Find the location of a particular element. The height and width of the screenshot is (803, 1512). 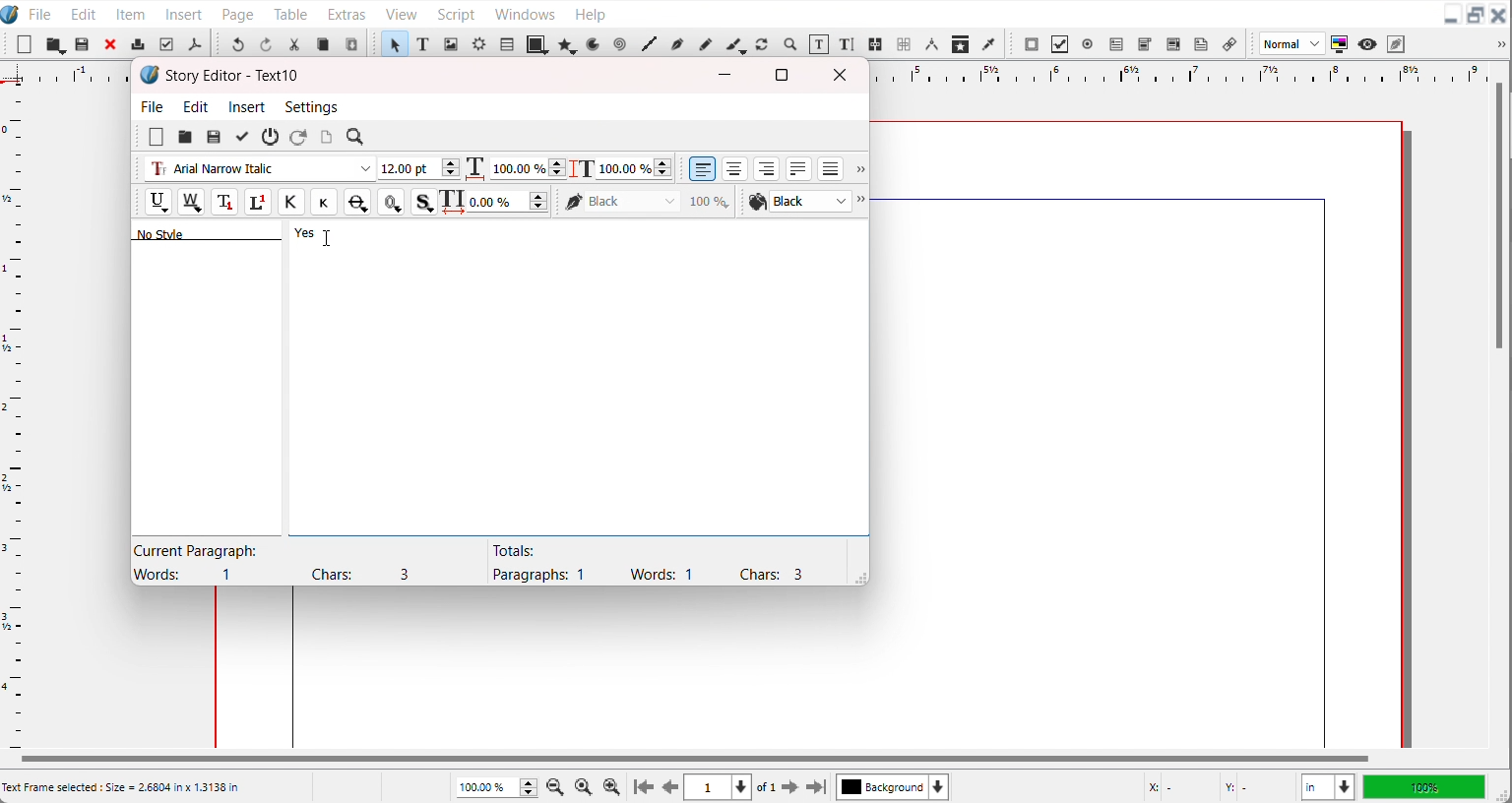

Software logo is located at coordinates (150, 75).